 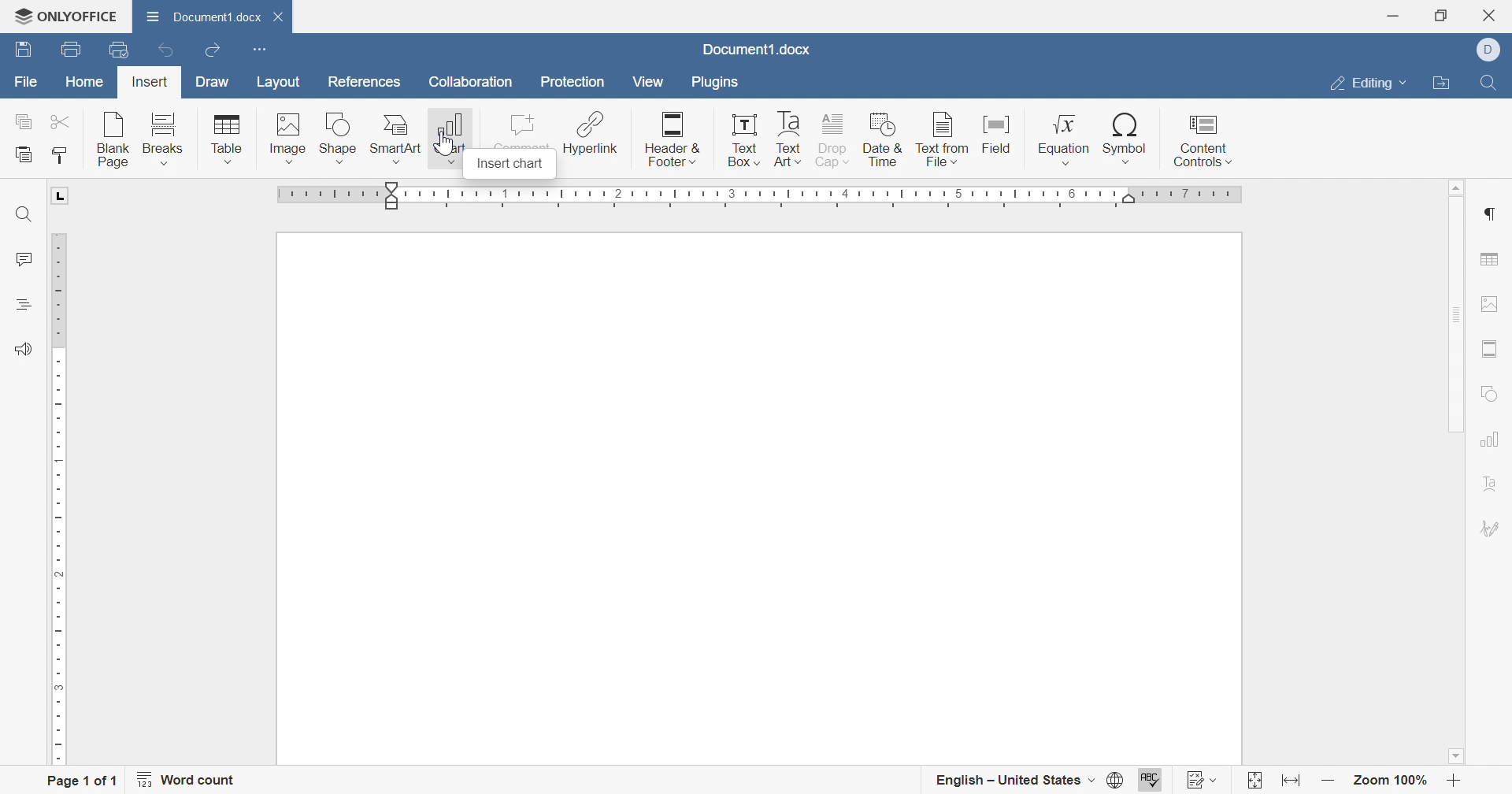 I want to click on Save, so click(x=23, y=51).